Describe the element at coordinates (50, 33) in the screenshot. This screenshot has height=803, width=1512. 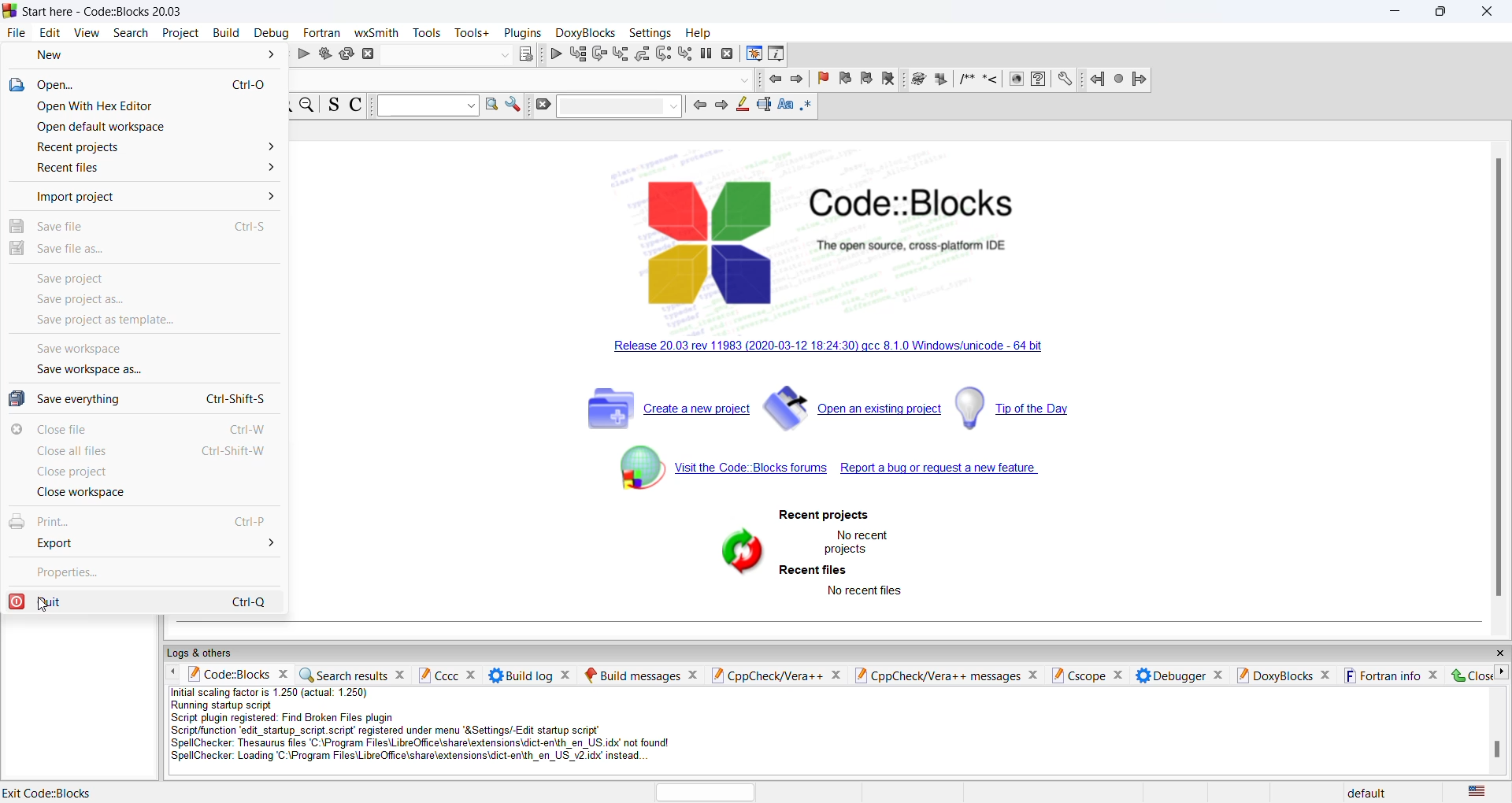
I see `edit` at that location.